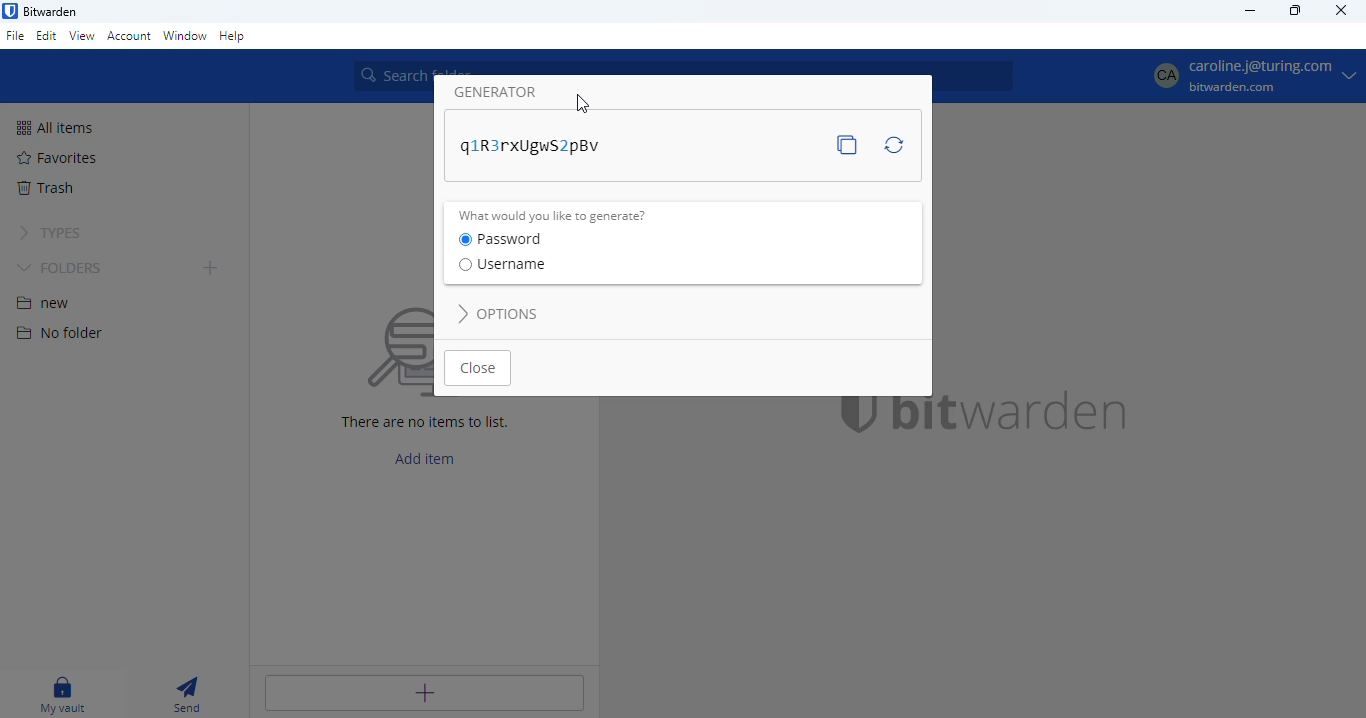  Describe the element at coordinates (496, 92) in the screenshot. I see `generator` at that location.